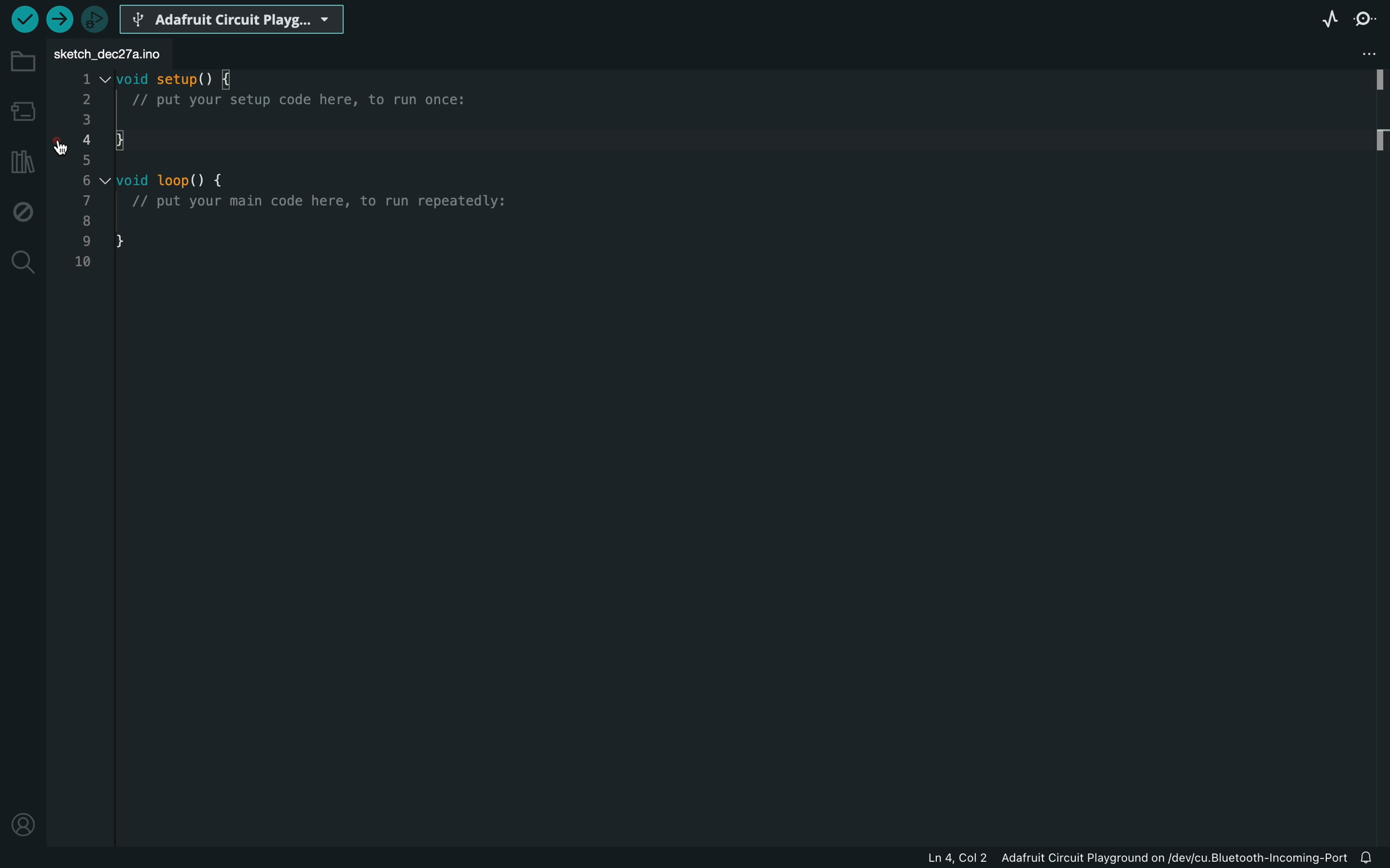 The height and width of the screenshot is (868, 1390). Describe the element at coordinates (232, 17) in the screenshot. I see `board selecter` at that location.